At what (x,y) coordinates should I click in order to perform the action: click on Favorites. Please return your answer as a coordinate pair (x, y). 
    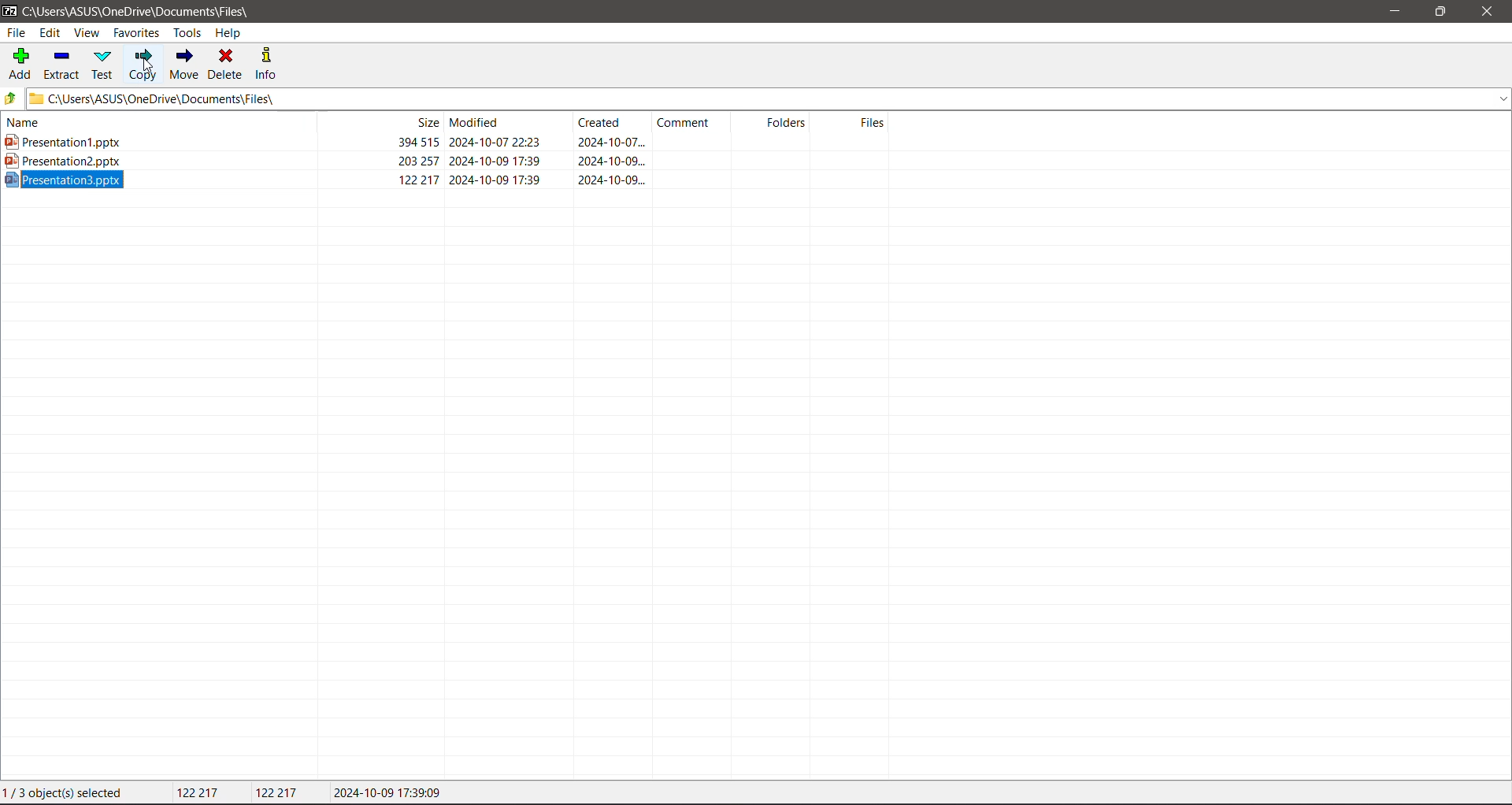
    Looking at the image, I should click on (137, 32).